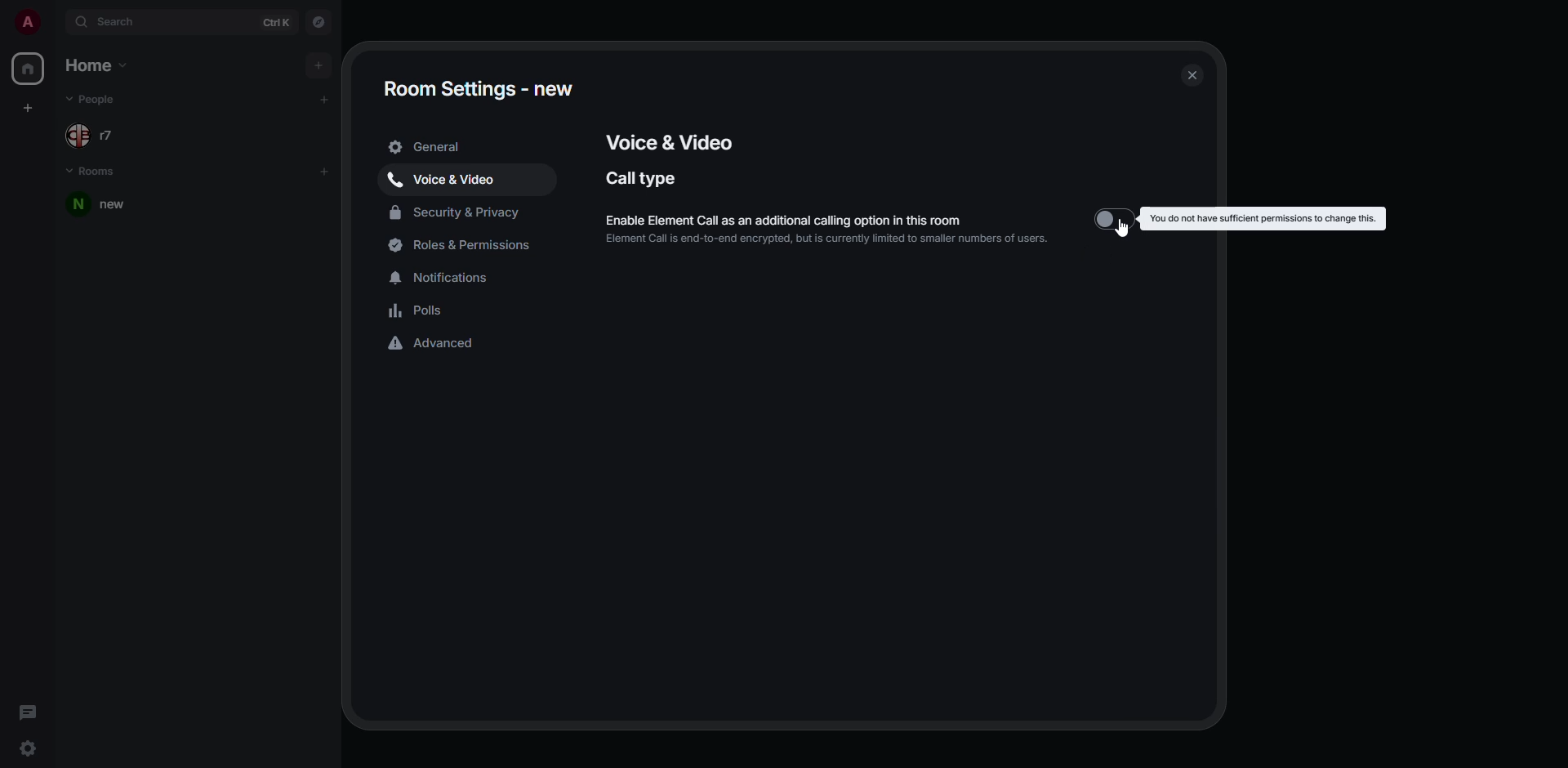 The image size is (1568, 768). What do you see at coordinates (106, 205) in the screenshot?
I see `room` at bounding box center [106, 205].